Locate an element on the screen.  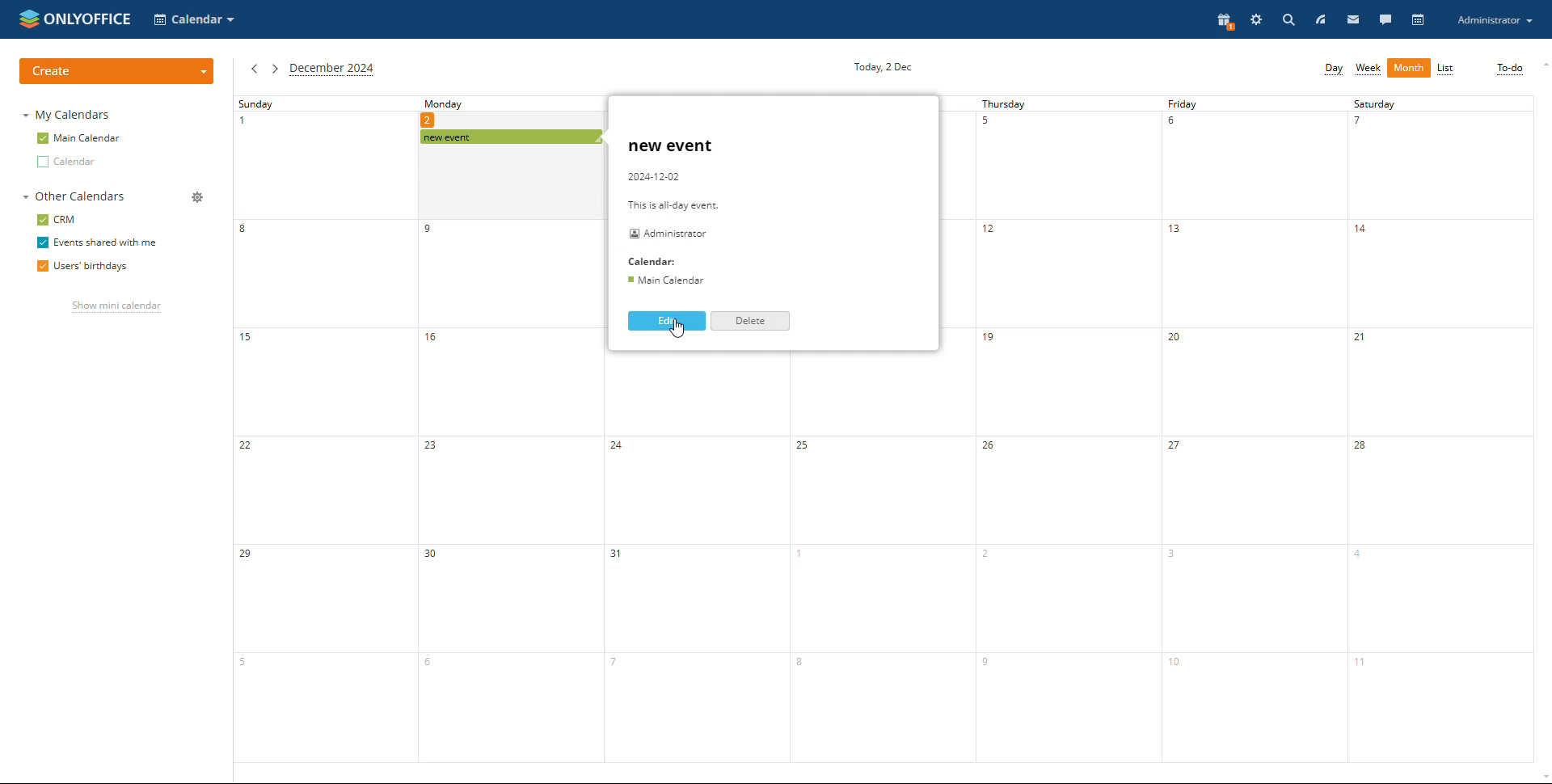
event description is located at coordinates (673, 214).